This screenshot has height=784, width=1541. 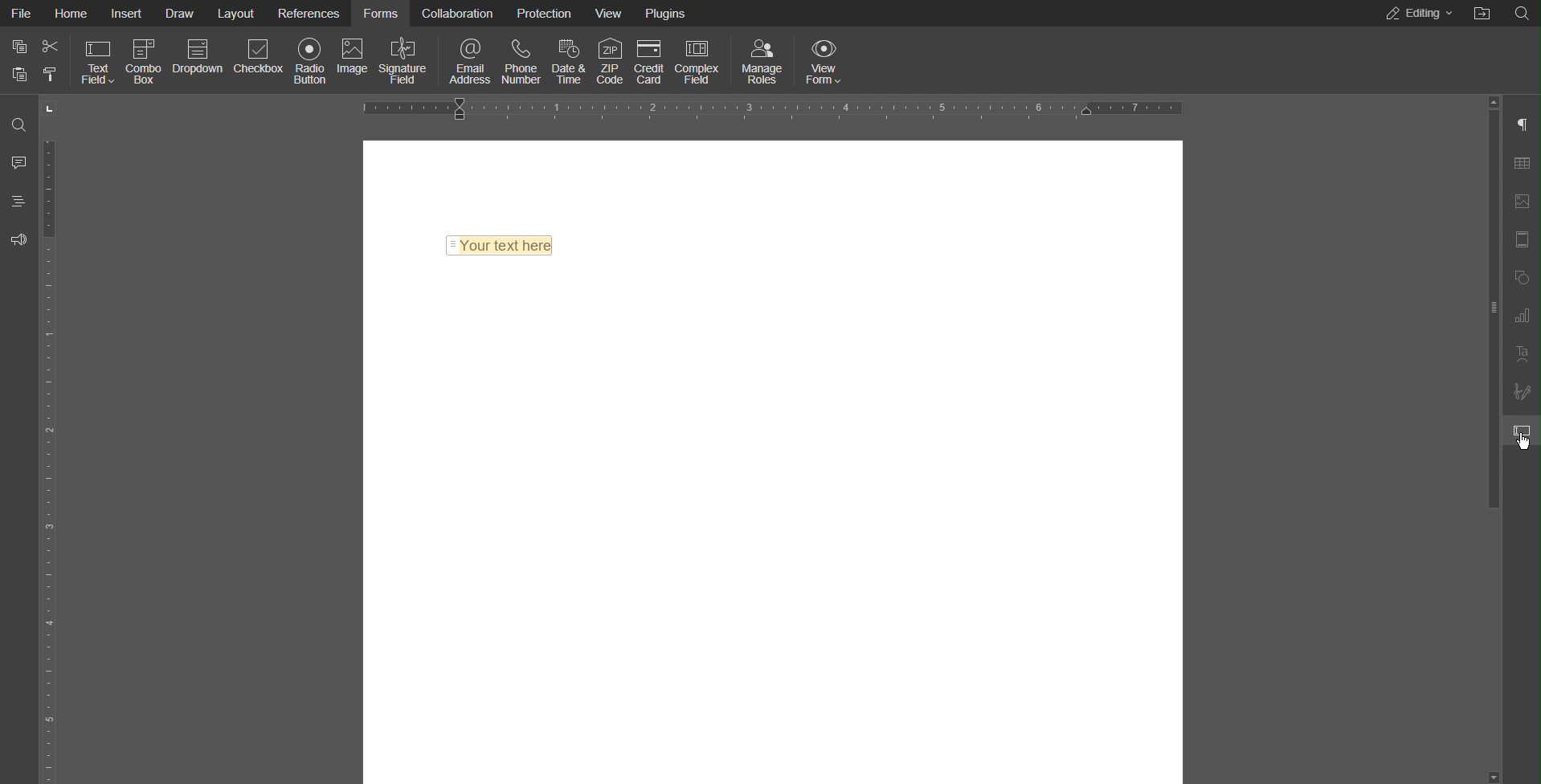 I want to click on cut, so click(x=51, y=47).